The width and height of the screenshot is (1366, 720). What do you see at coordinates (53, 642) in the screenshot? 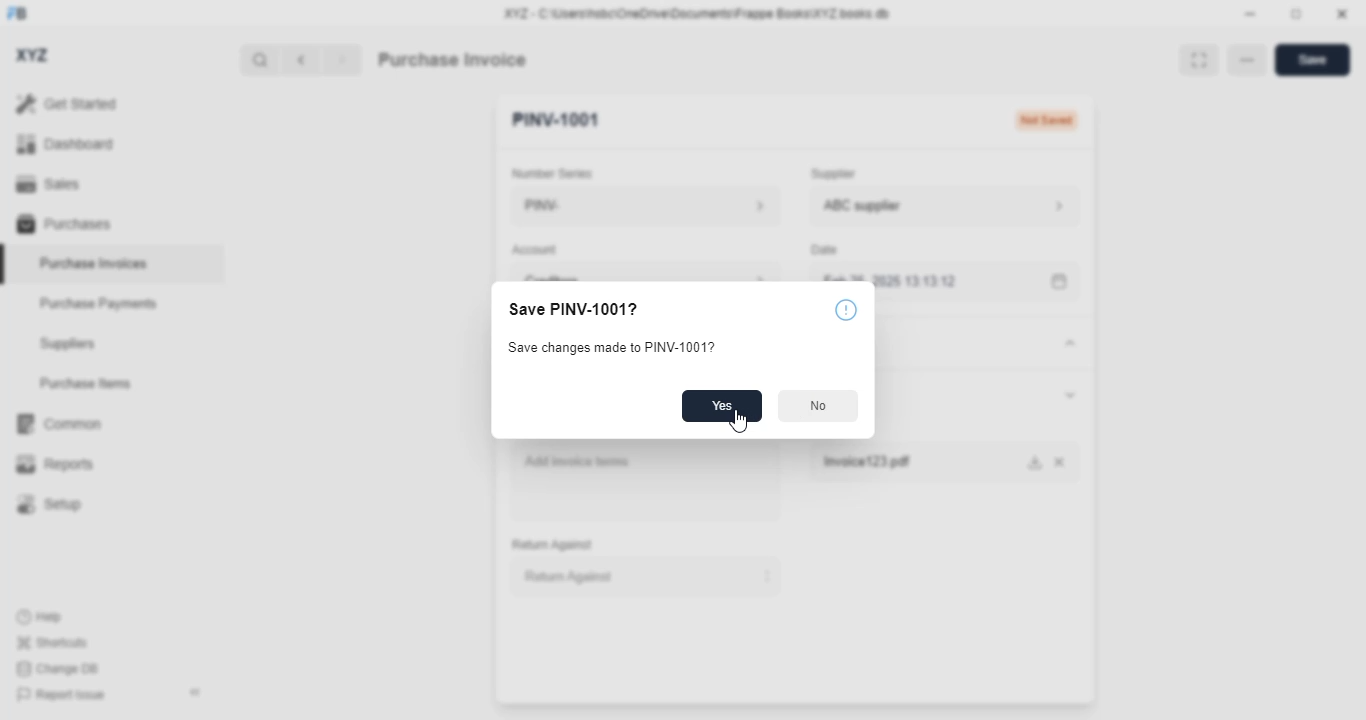
I see `shortcuts` at bounding box center [53, 642].